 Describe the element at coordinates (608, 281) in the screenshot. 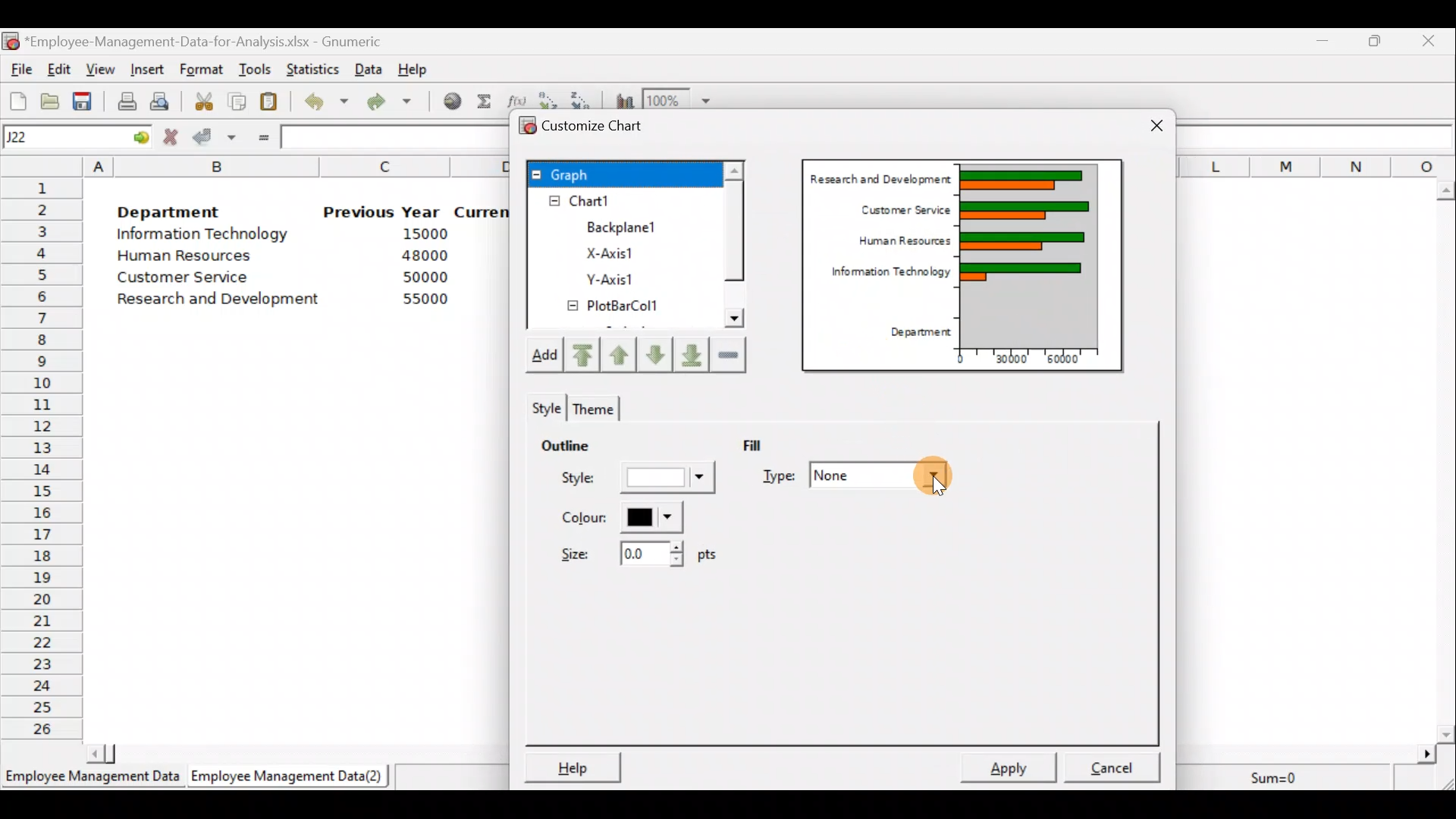

I see `Y-axis1` at that location.